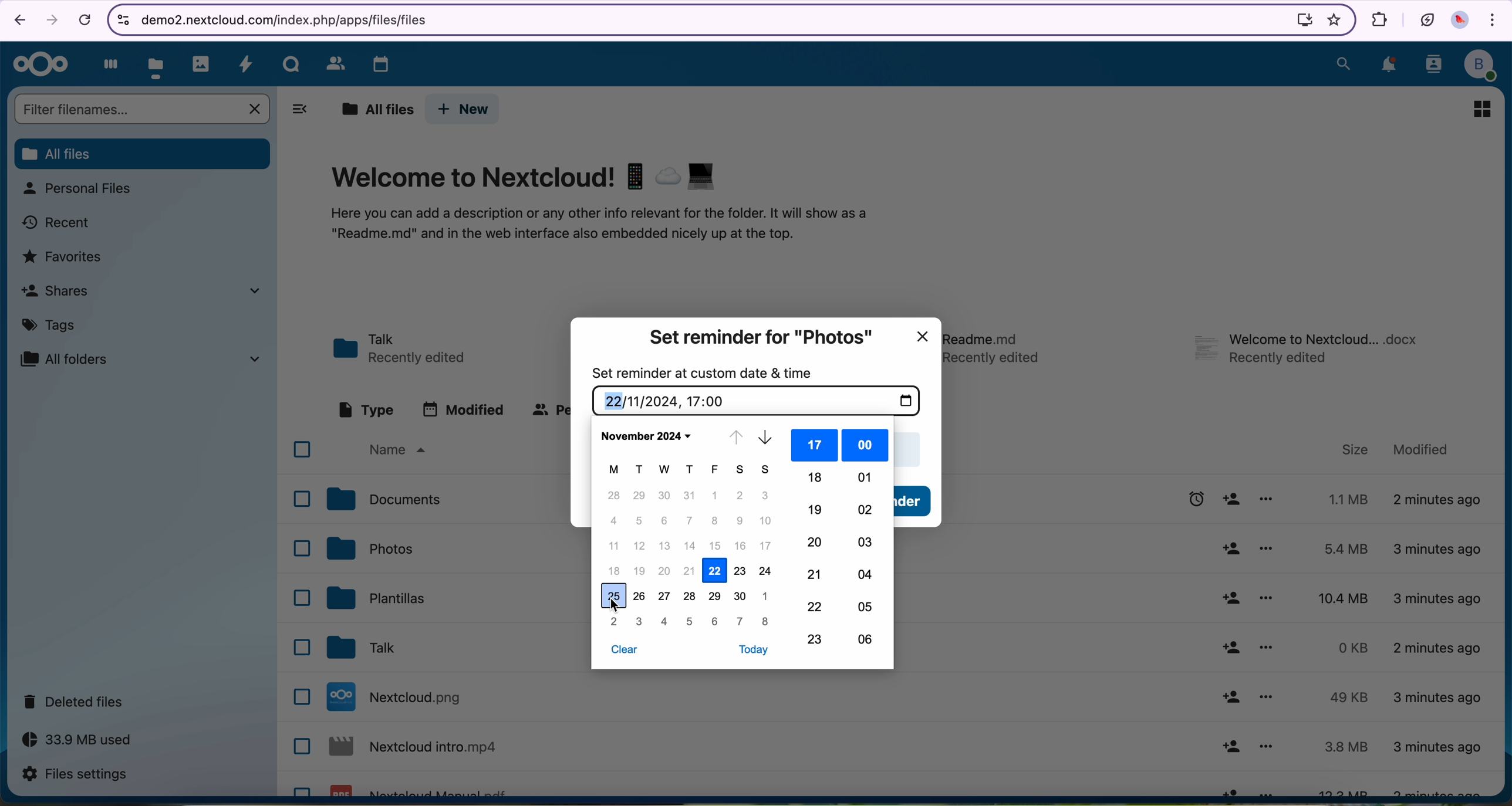 The height and width of the screenshot is (806, 1512). Describe the element at coordinates (202, 63) in the screenshot. I see `photos` at that location.